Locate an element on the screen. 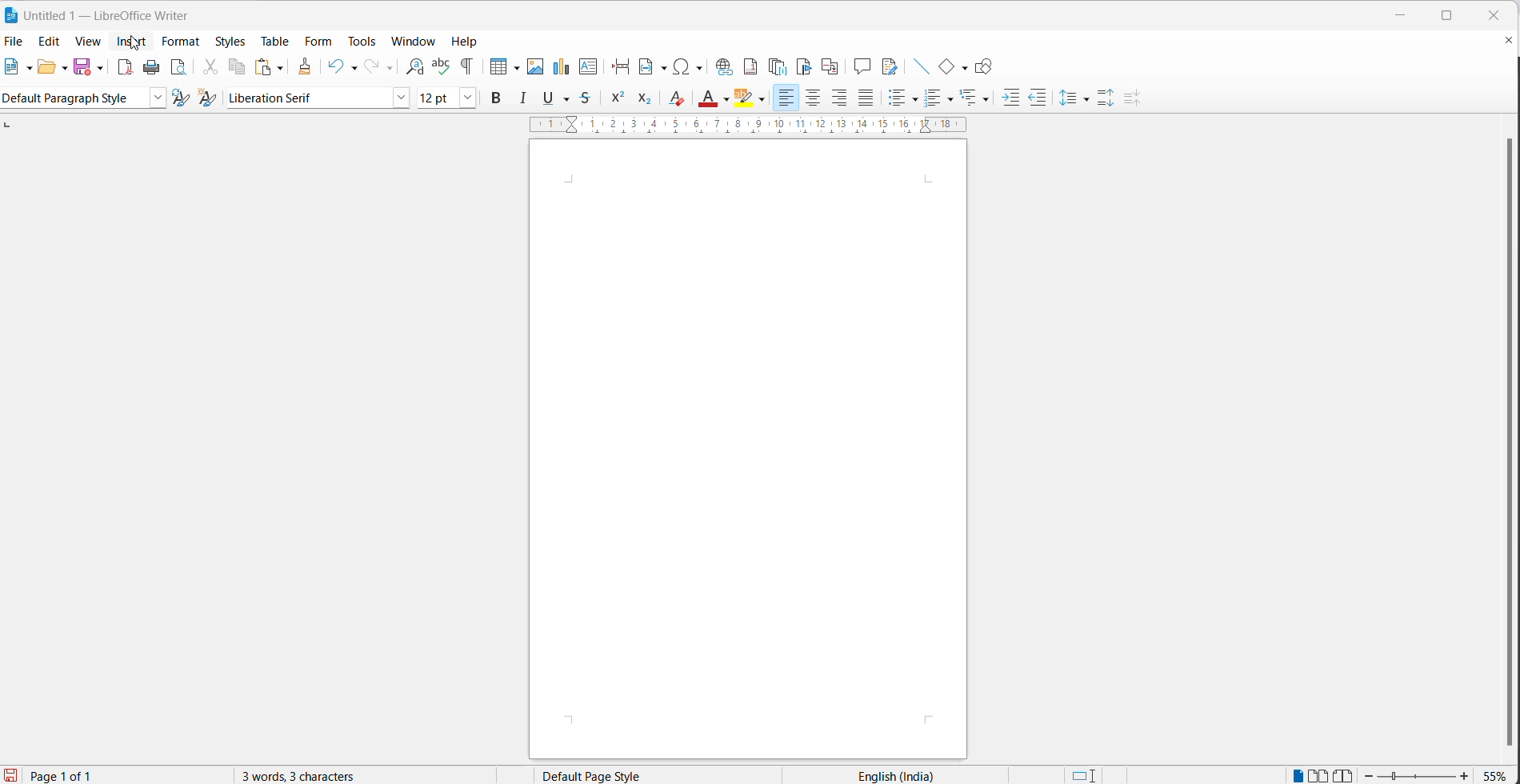 The image size is (1520, 784). toggle unordered list options is located at coordinates (916, 98).